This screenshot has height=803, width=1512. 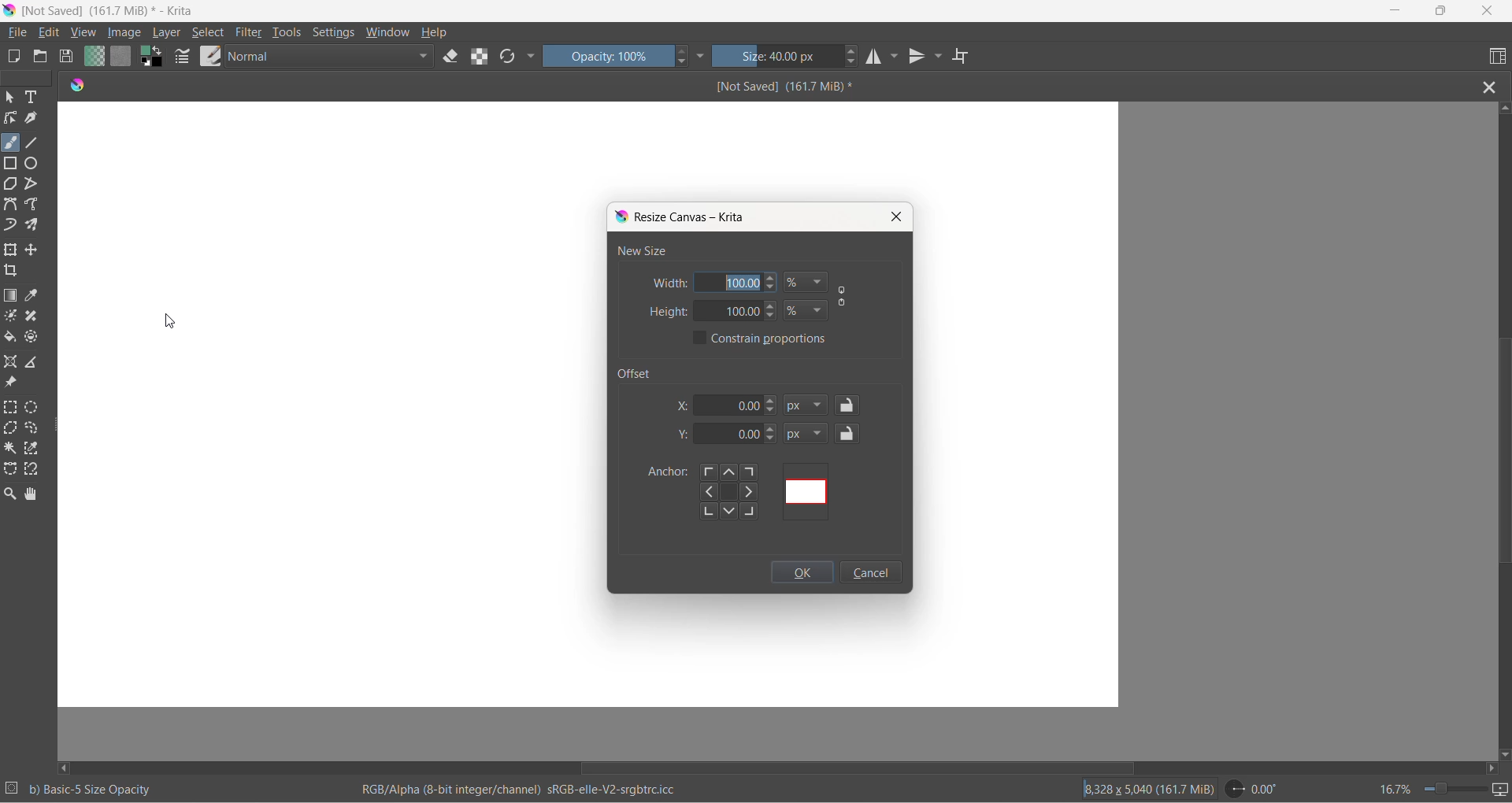 What do you see at coordinates (1448, 789) in the screenshot?
I see `zoom slider` at bounding box center [1448, 789].